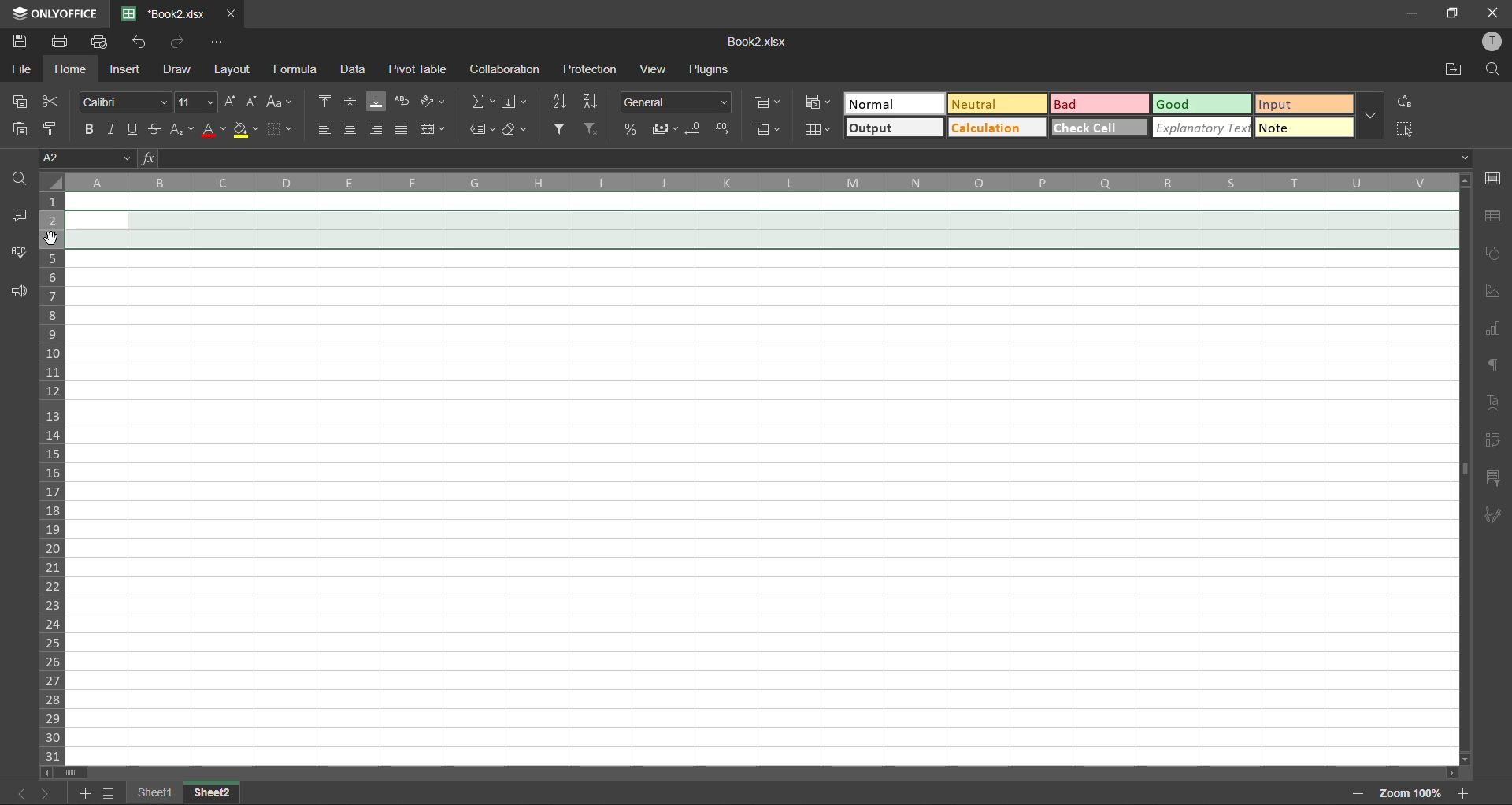 The image size is (1512, 805). Describe the element at coordinates (758, 42) in the screenshot. I see `Book2.xlsx` at that location.